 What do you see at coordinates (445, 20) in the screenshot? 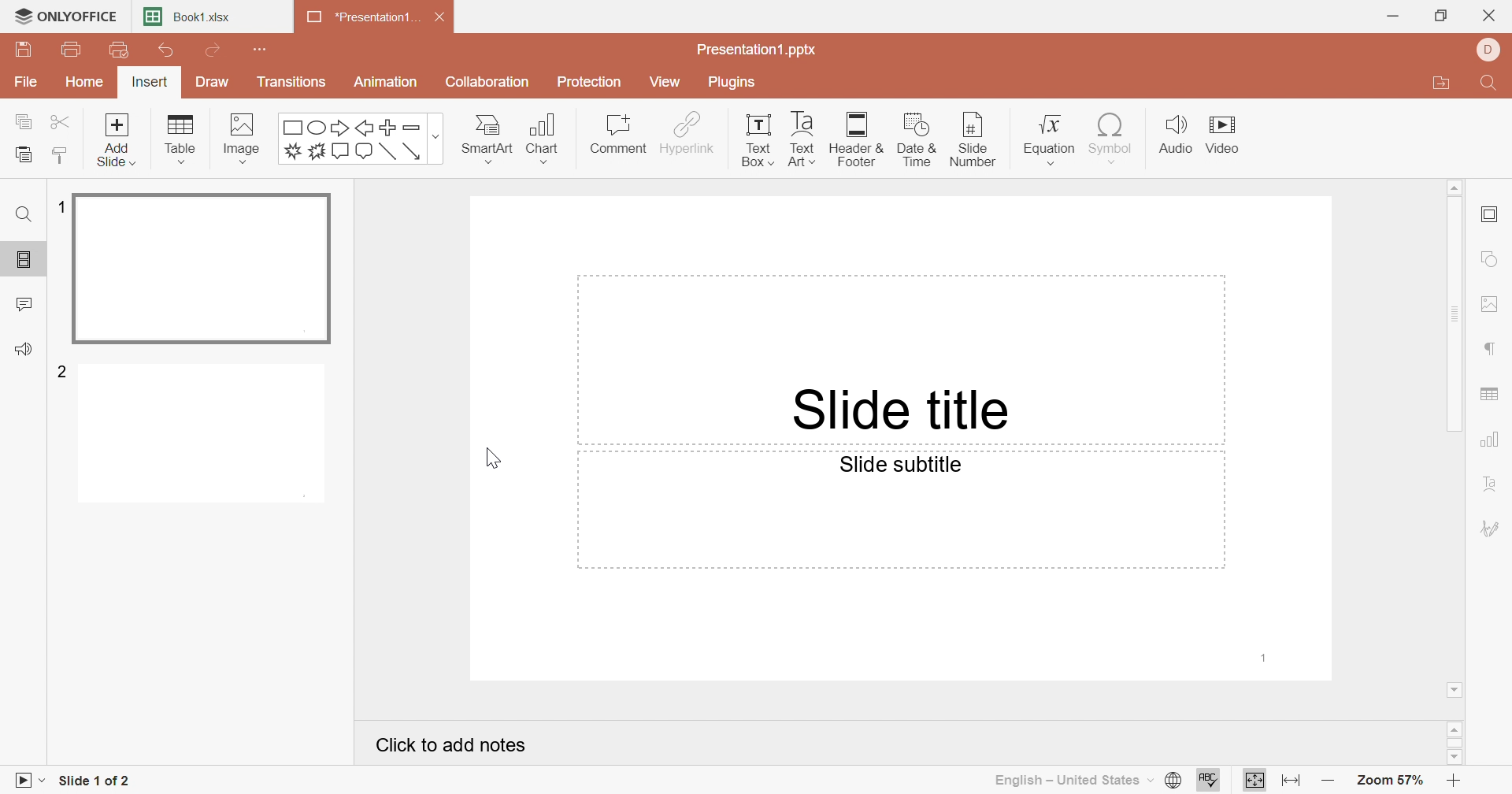
I see `Close` at bounding box center [445, 20].